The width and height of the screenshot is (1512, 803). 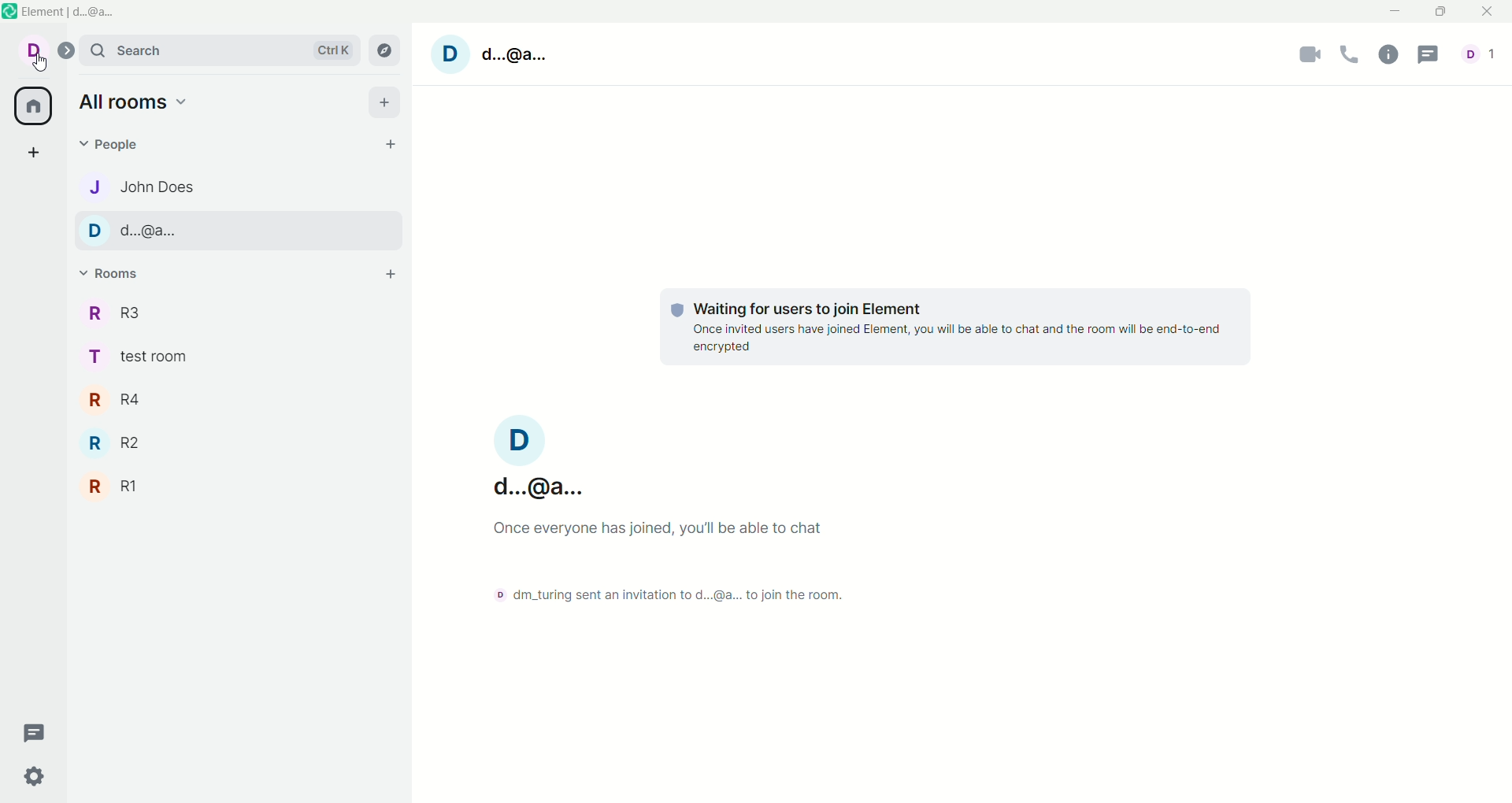 What do you see at coordinates (87, 13) in the screenshot?
I see `element|d..@a` at bounding box center [87, 13].